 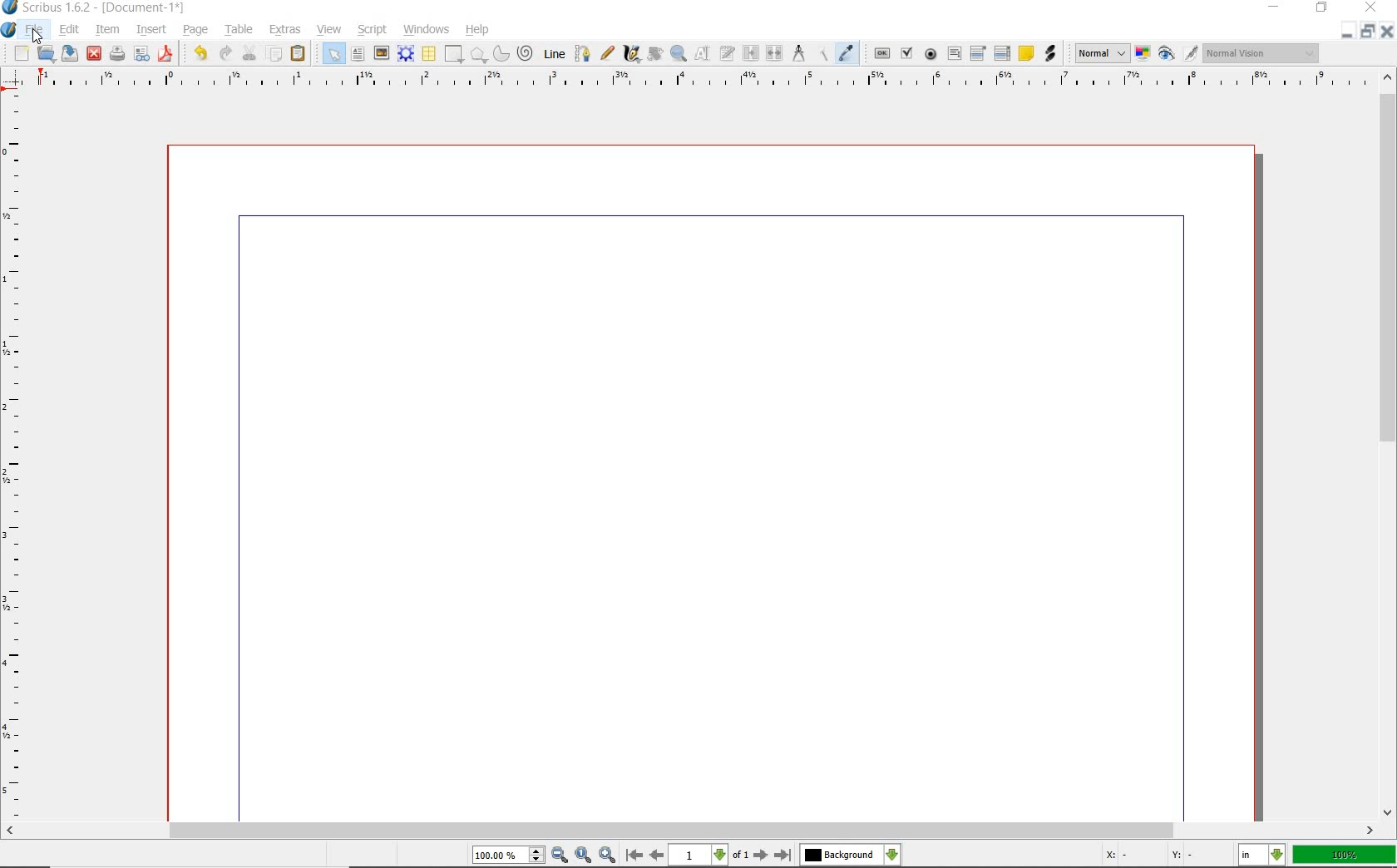 I want to click on zoom in or zoom out, so click(x=679, y=55).